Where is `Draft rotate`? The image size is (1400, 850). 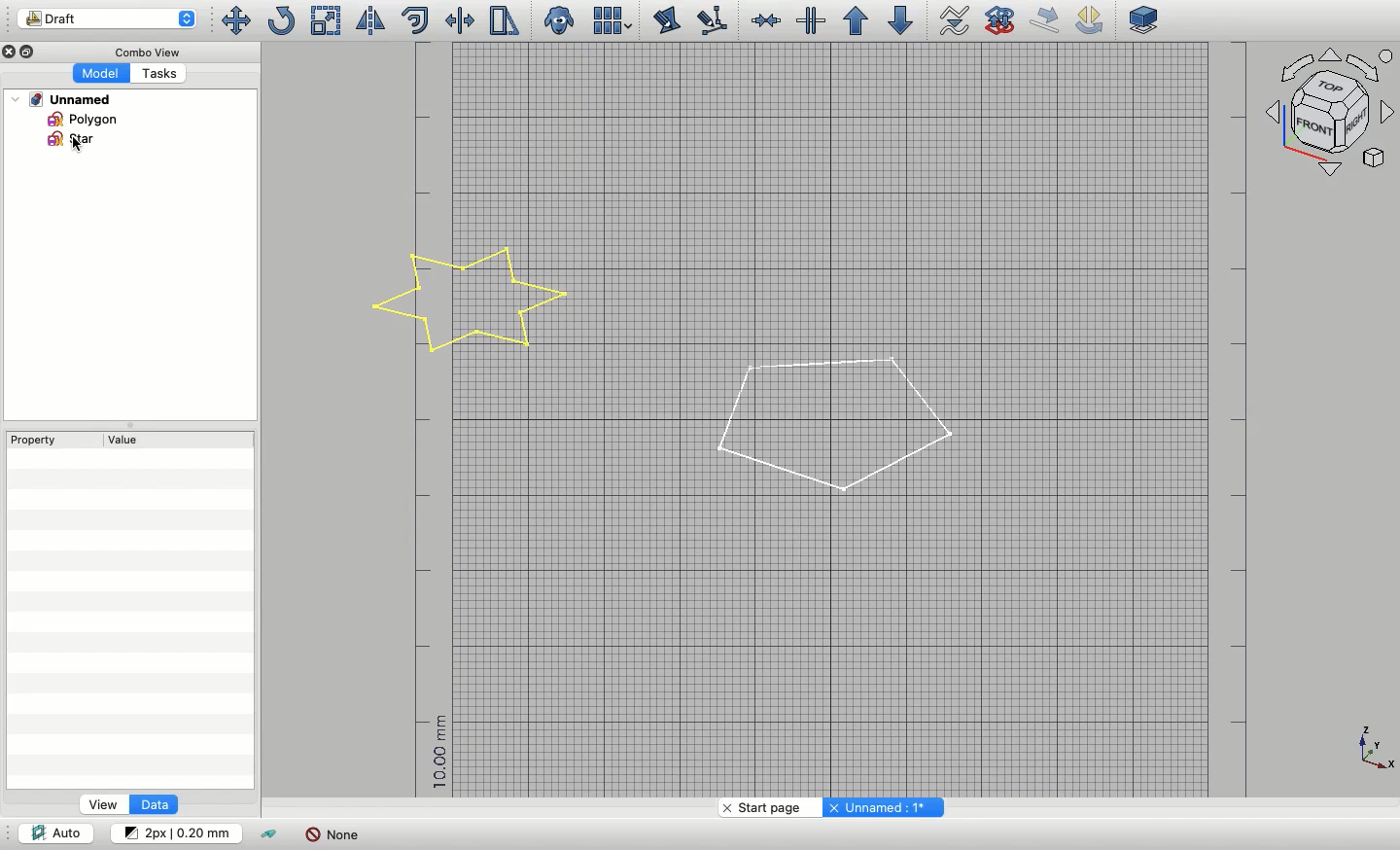 Draft rotate is located at coordinates (1090, 21).